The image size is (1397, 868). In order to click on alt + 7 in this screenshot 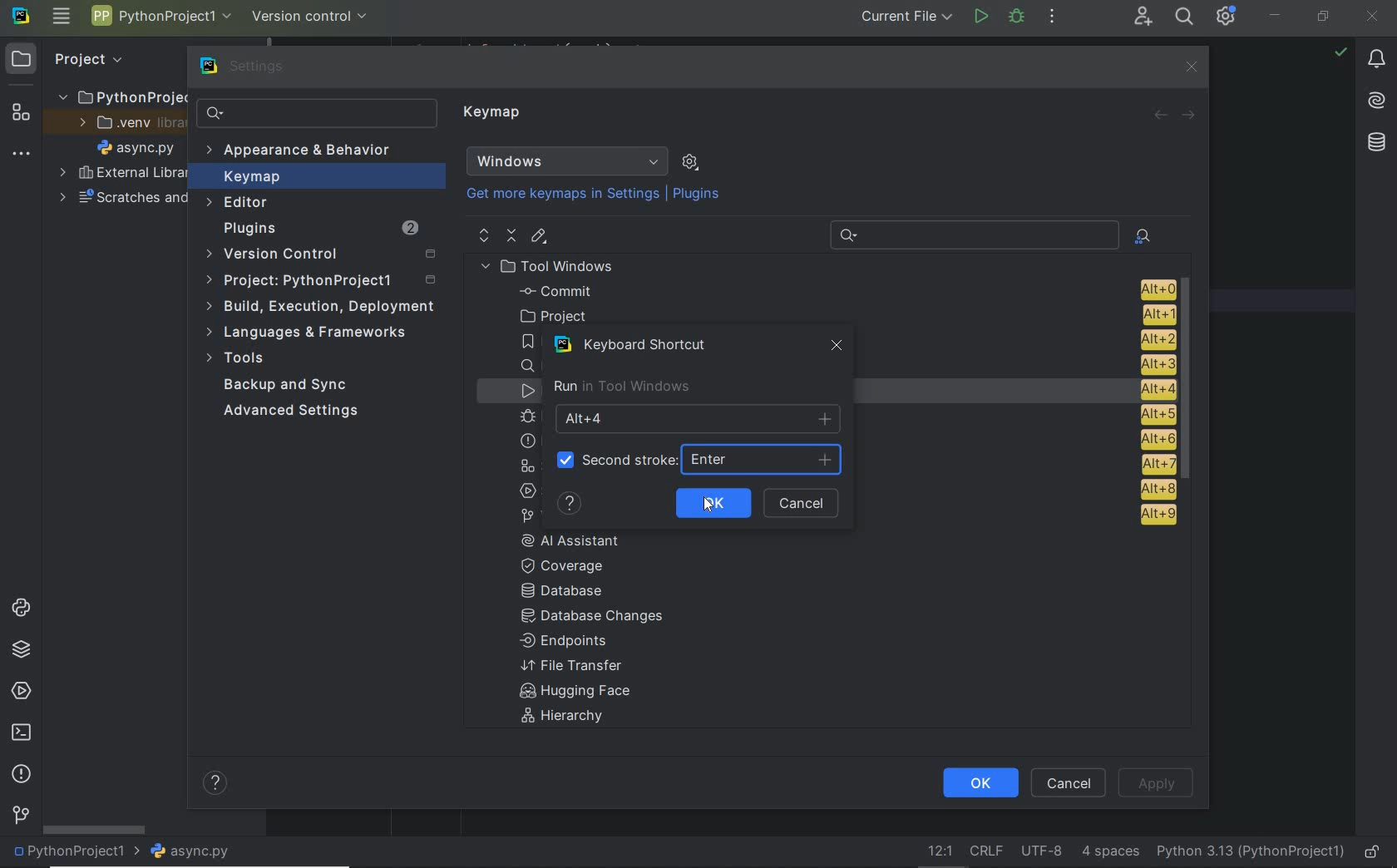, I will do `click(1158, 464)`.